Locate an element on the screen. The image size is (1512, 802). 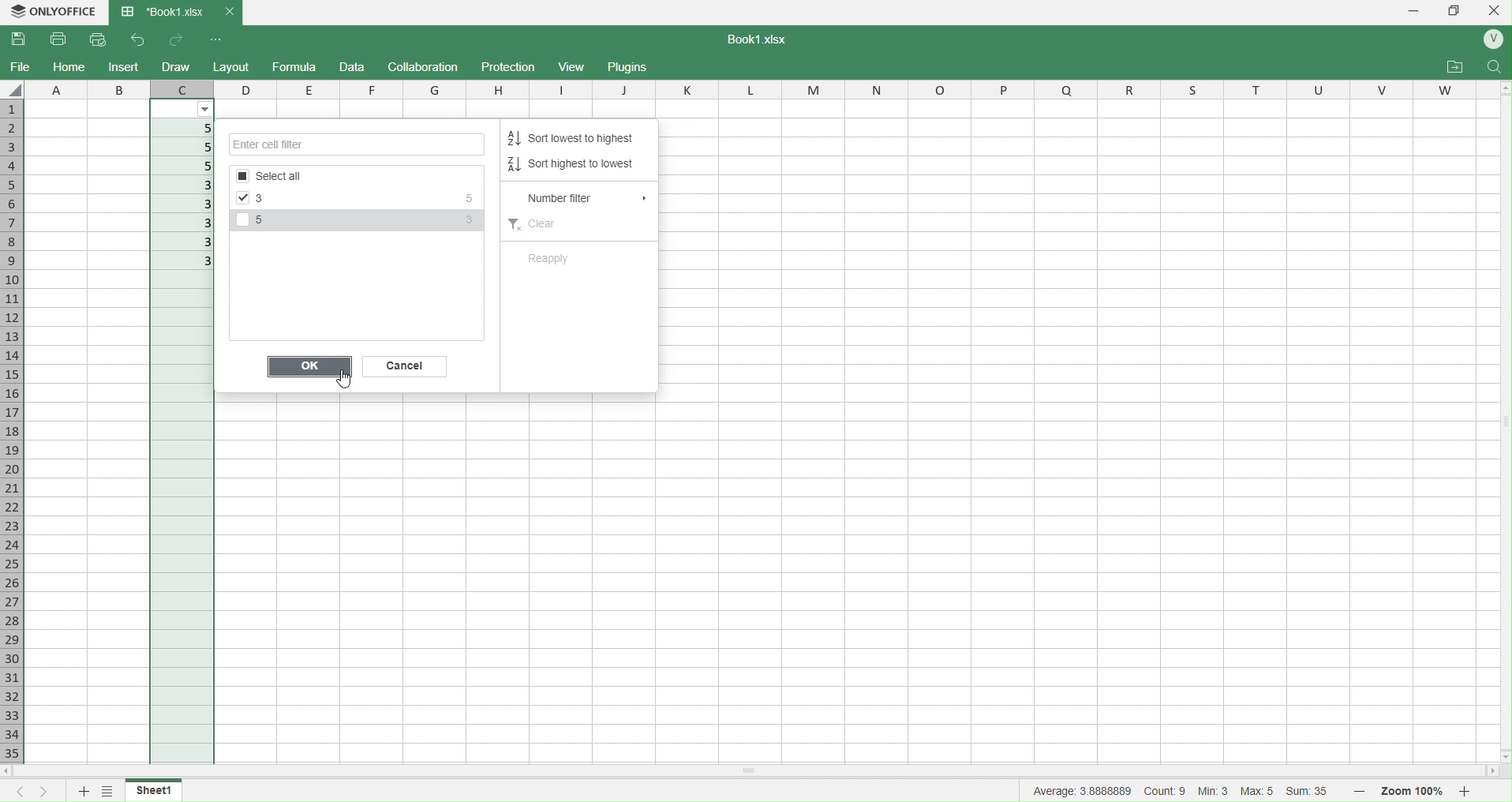
Text is located at coordinates (753, 39).